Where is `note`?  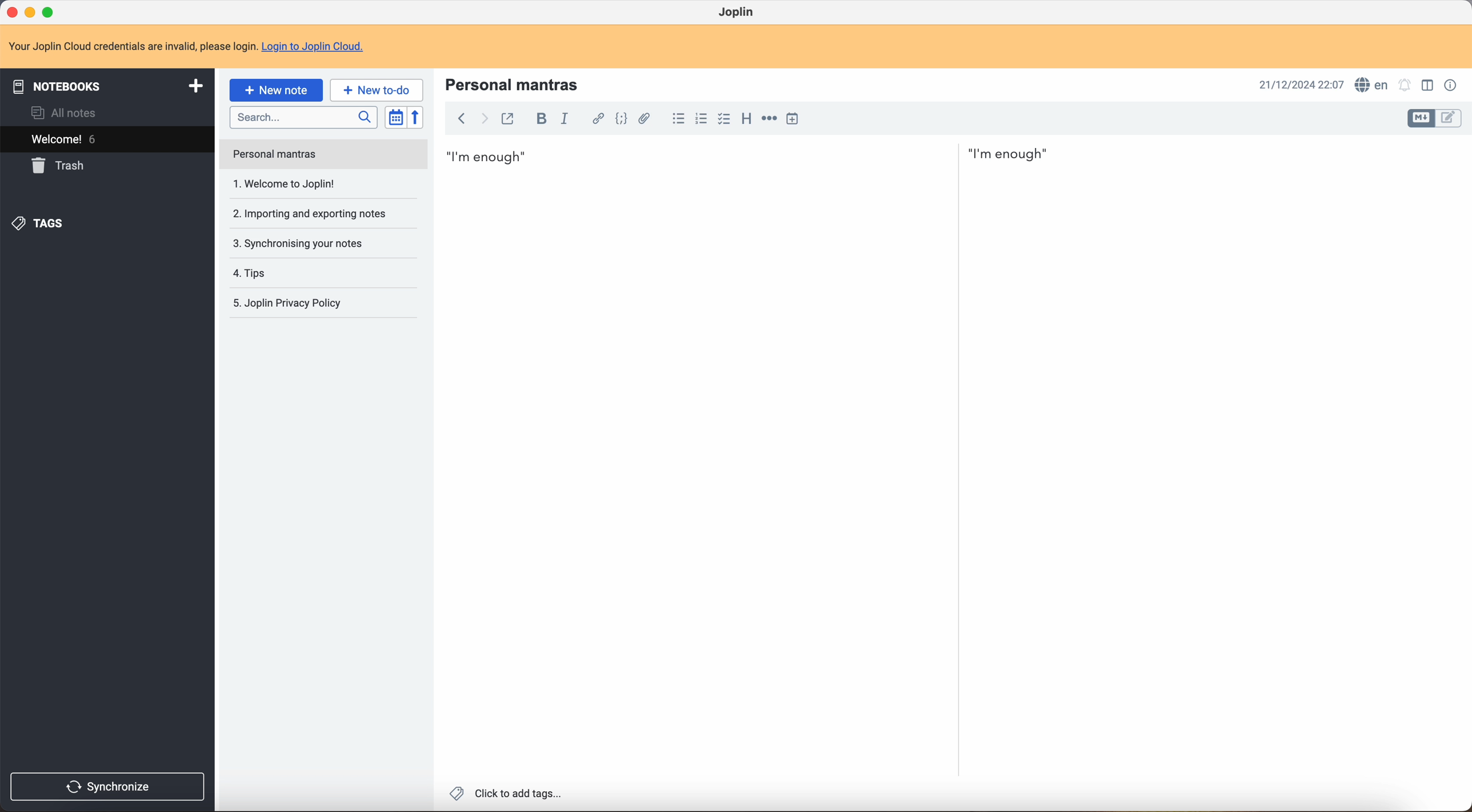 note is located at coordinates (187, 47).